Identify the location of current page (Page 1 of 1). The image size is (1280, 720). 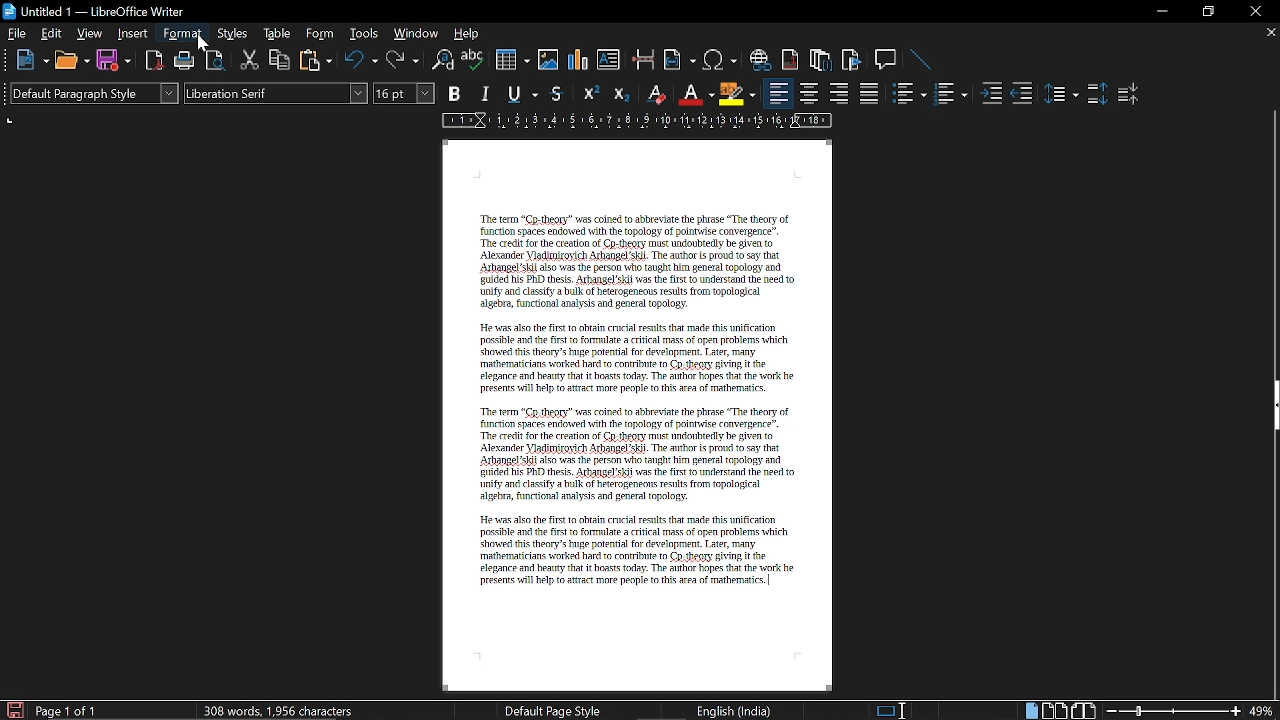
(90, 710).